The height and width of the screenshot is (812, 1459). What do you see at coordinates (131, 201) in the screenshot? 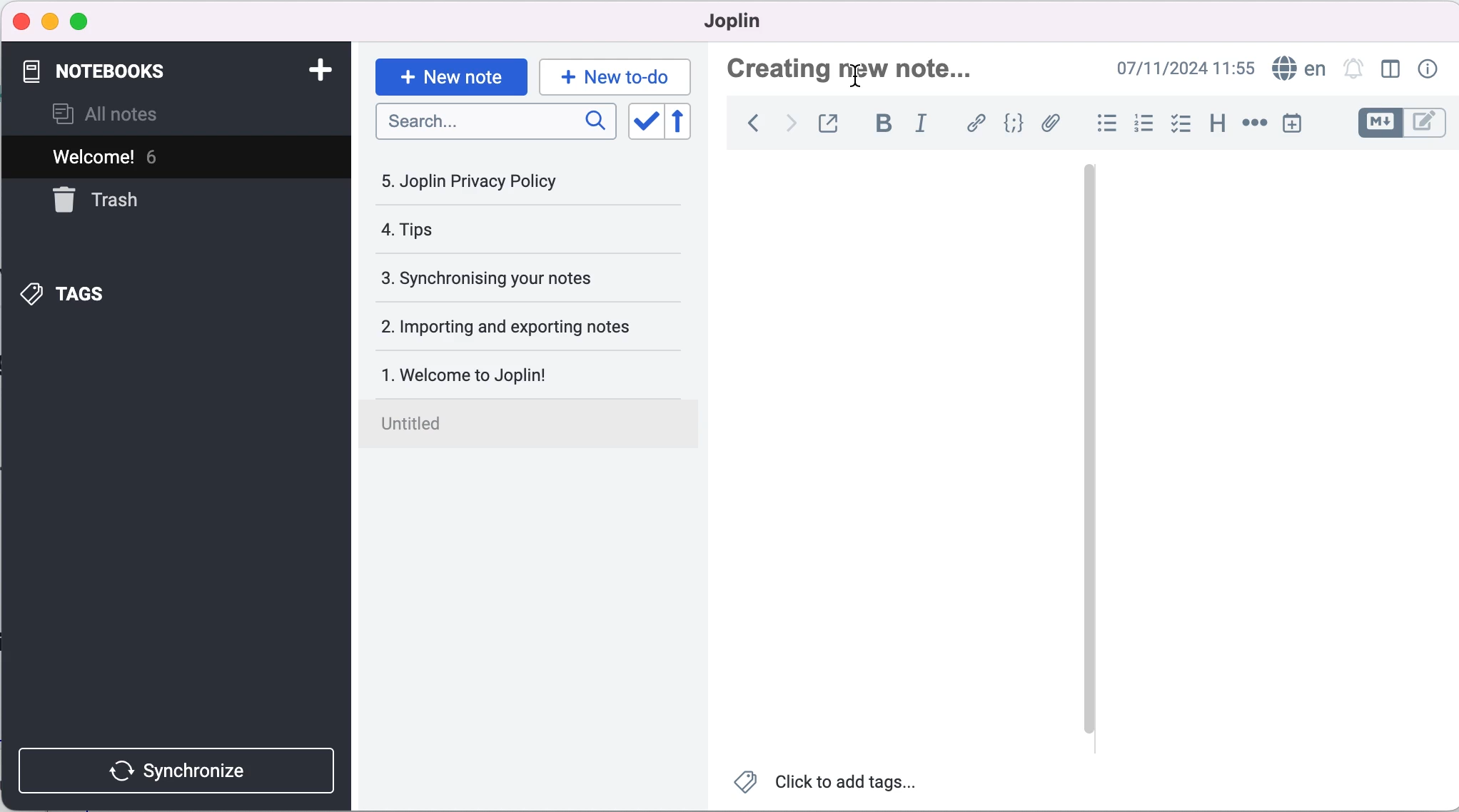
I see `trash` at bounding box center [131, 201].